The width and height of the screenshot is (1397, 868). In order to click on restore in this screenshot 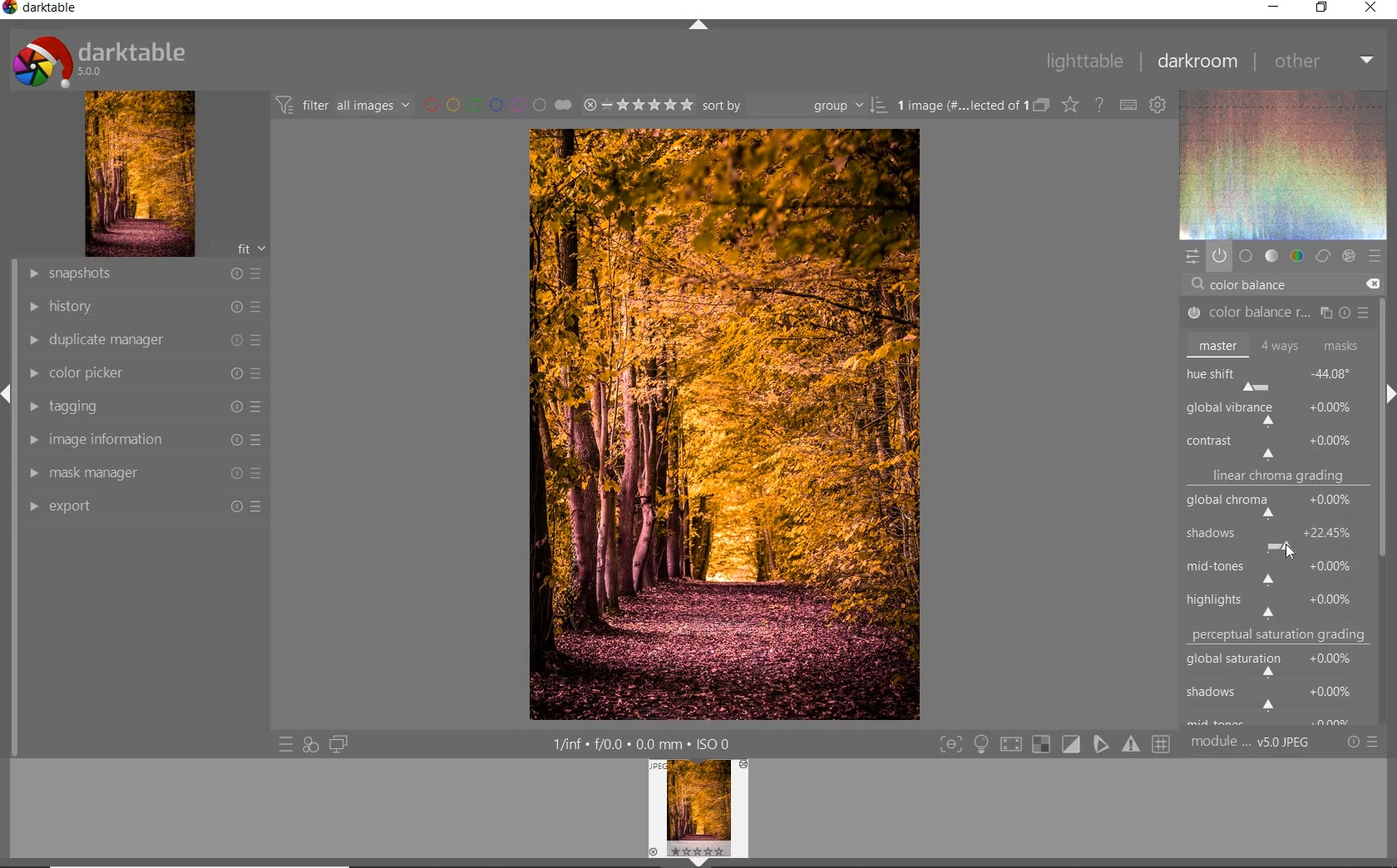, I will do `click(1320, 9)`.